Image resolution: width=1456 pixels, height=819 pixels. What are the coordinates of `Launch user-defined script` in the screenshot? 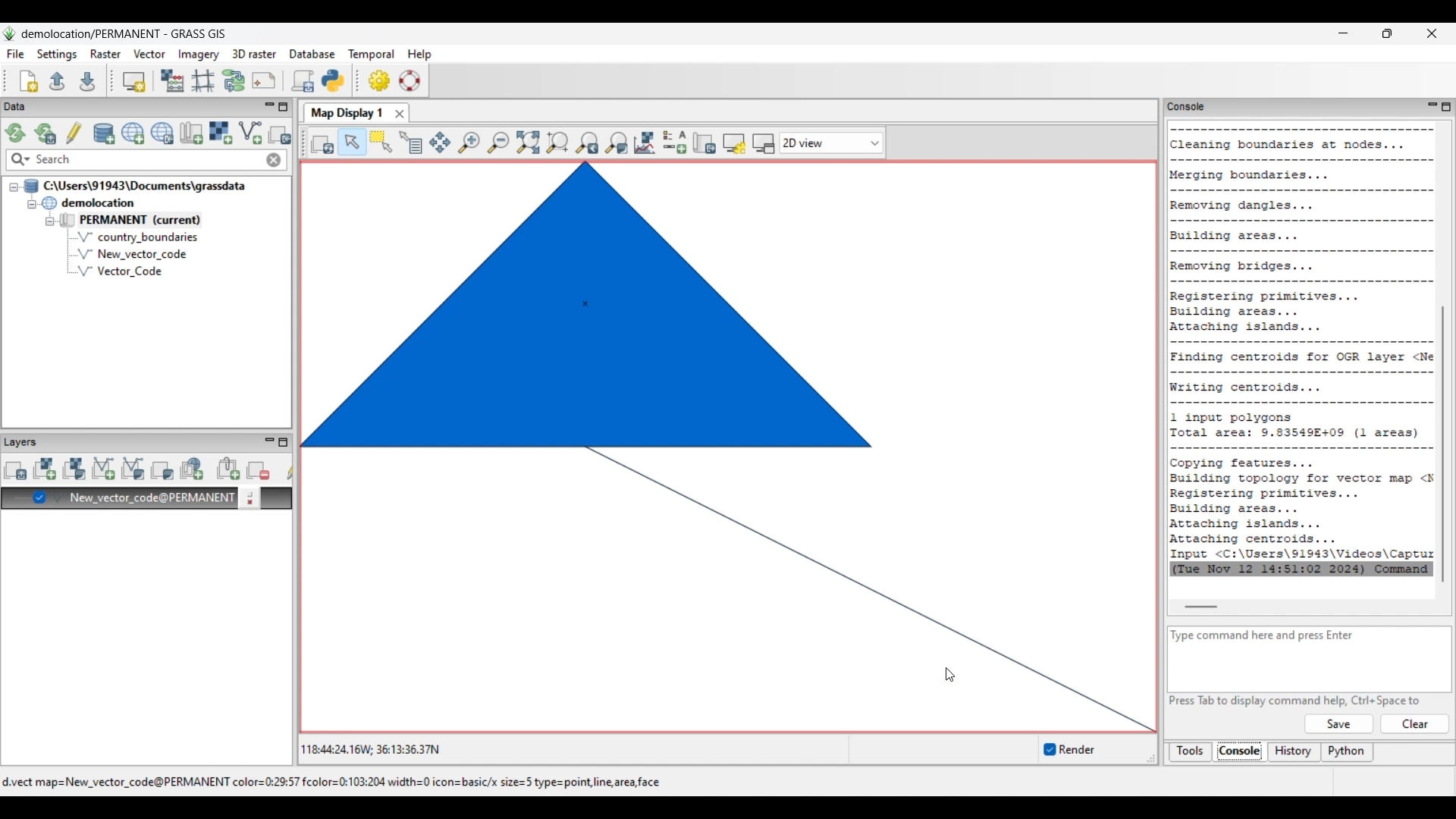 It's located at (303, 80).